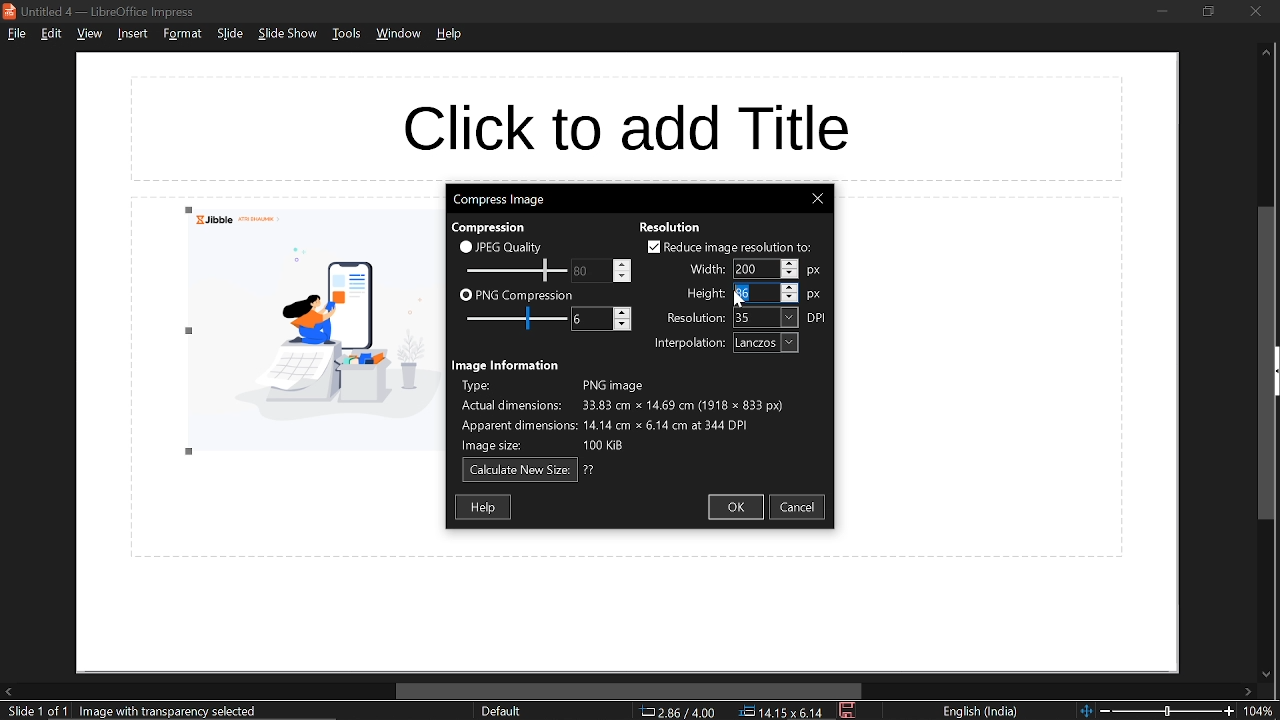 The height and width of the screenshot is (720, 1280). Describe the element at coordinates (800, 507) in the screenshot. I see `cancel` at that location.